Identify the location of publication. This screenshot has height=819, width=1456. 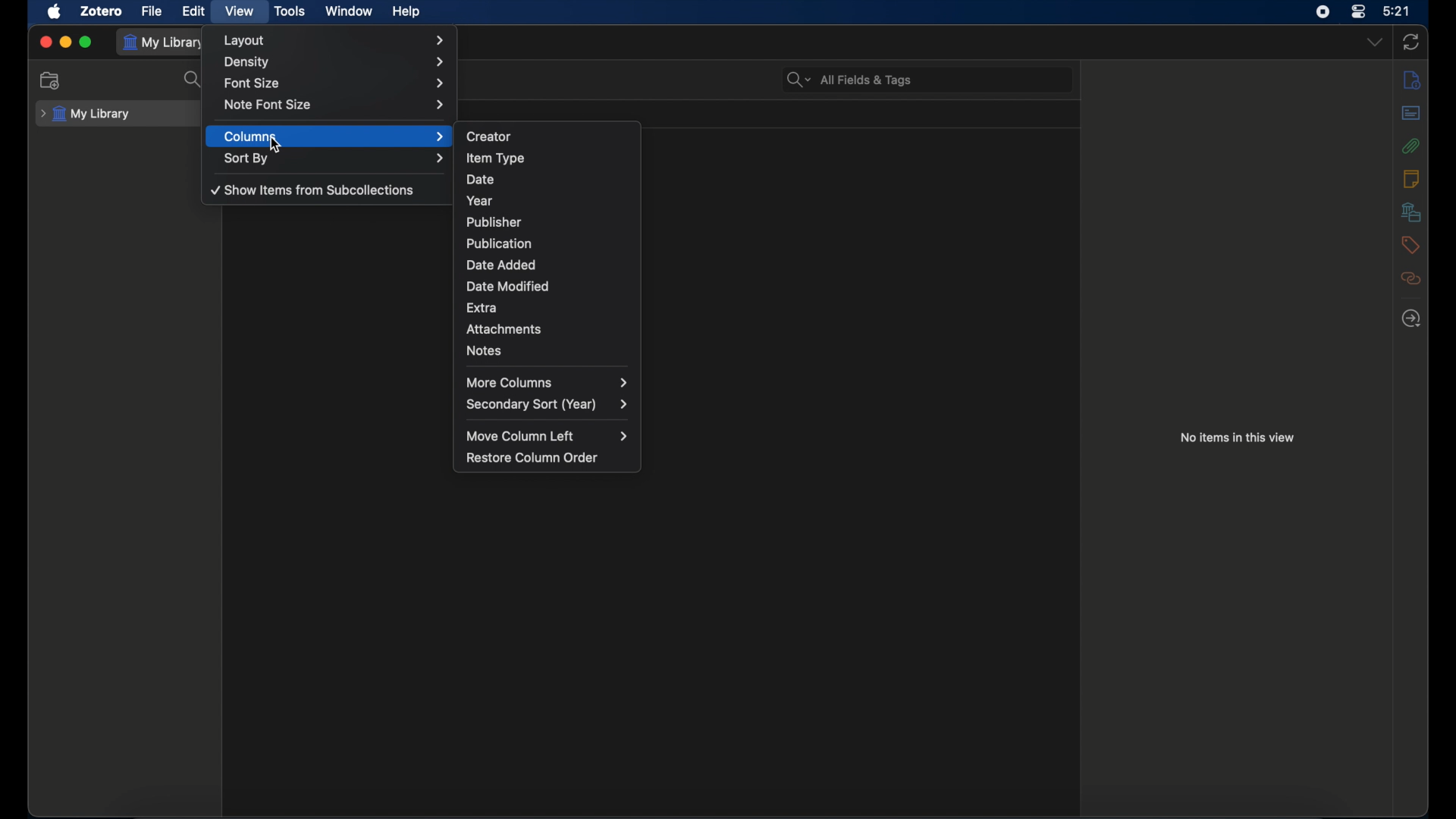
(551, 242).